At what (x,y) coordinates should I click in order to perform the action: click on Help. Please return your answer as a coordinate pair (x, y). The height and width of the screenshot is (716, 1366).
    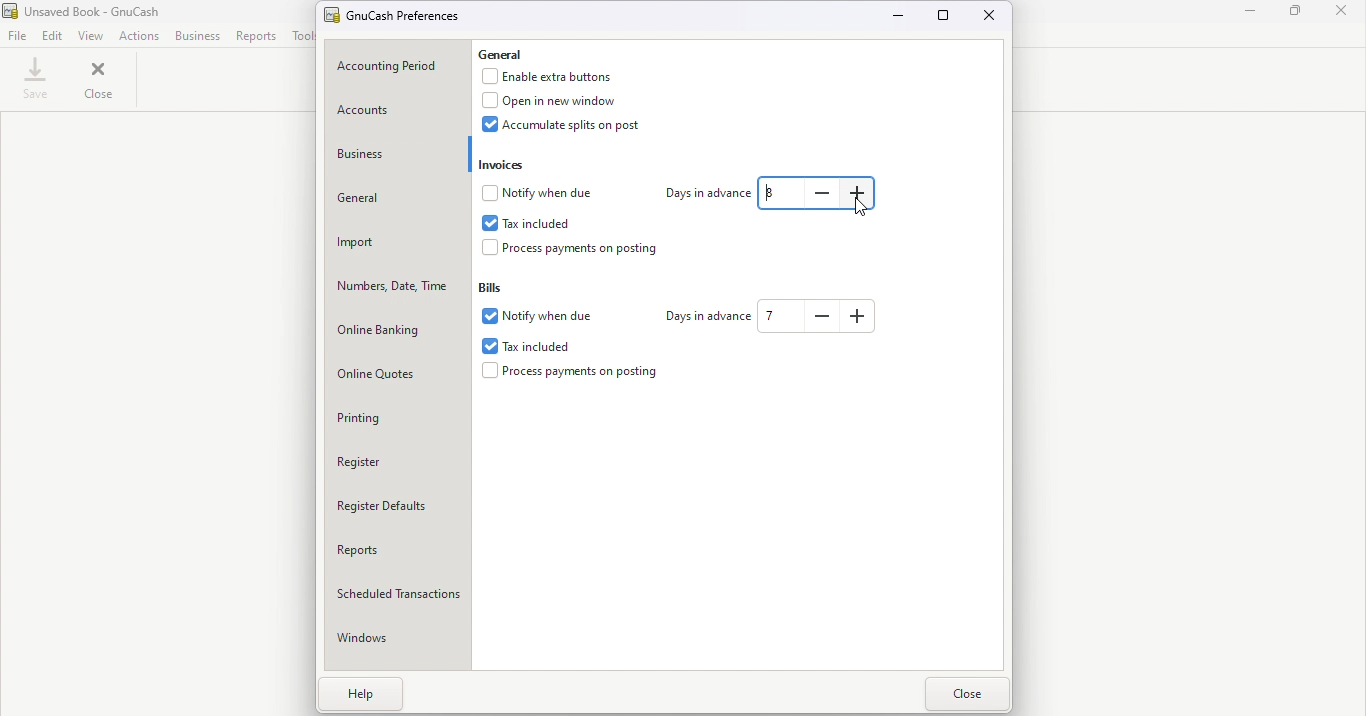
    Looking at the image, I should click on (364, 696).